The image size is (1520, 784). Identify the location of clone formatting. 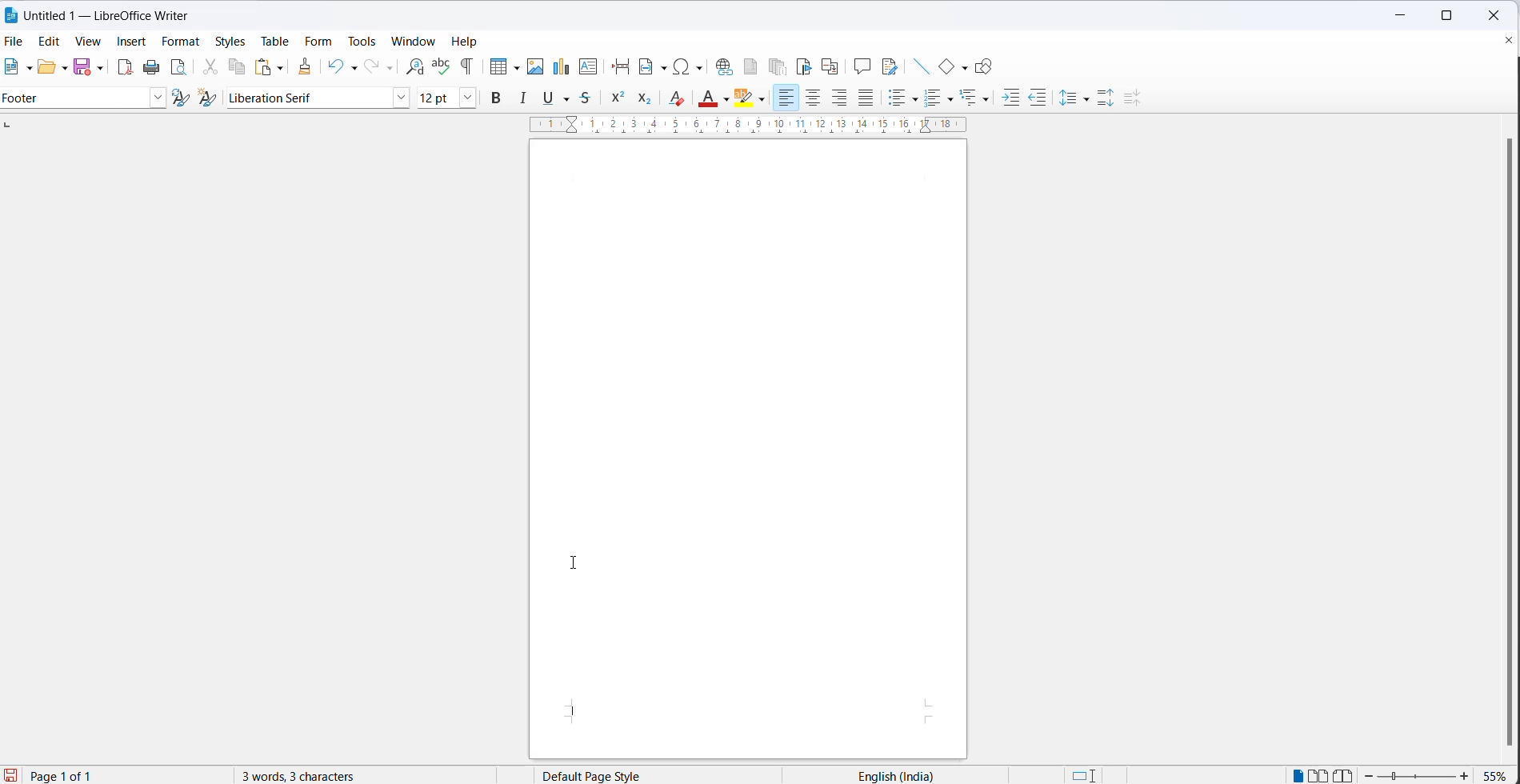
(306, 66).